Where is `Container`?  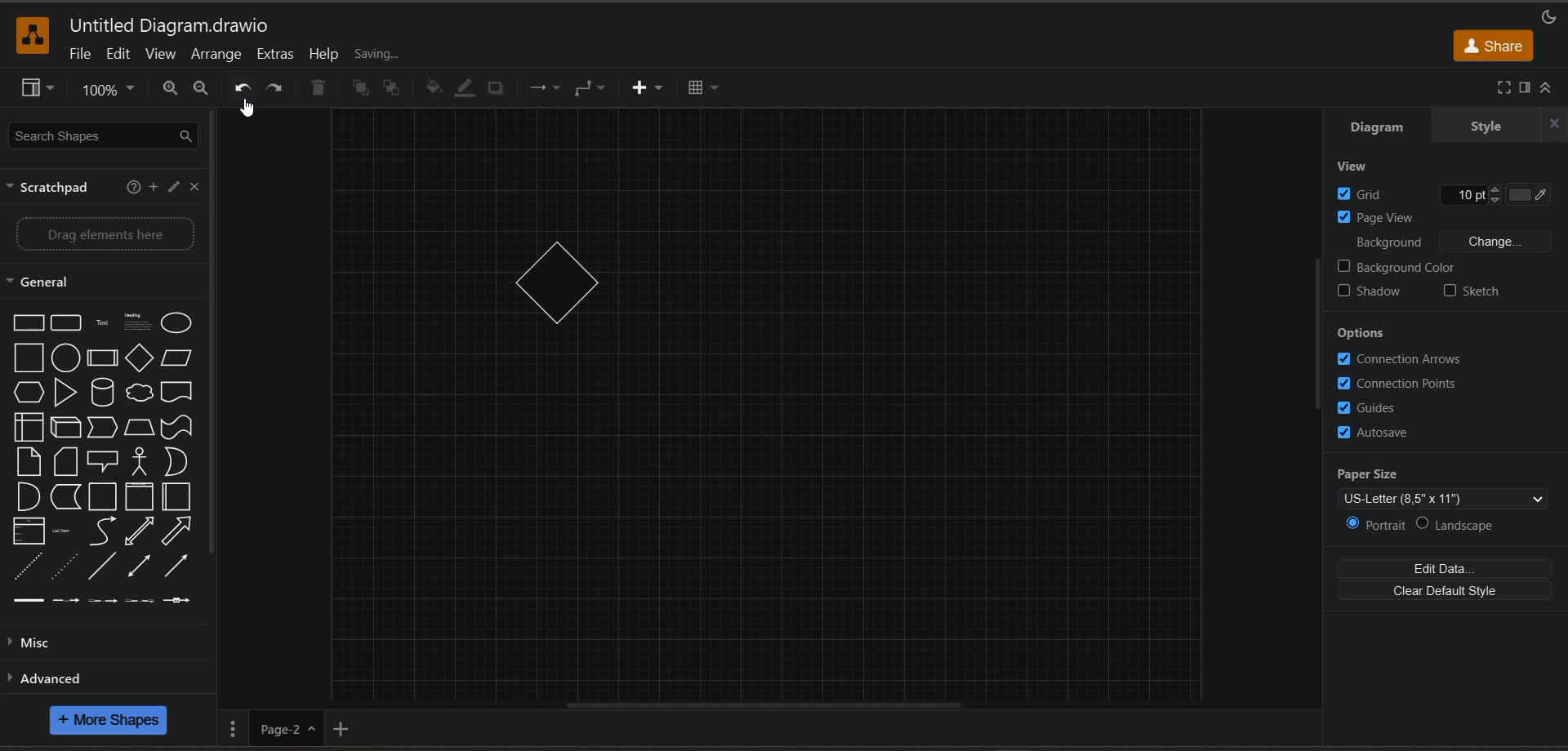 Container is located at coordinates (104, 497).